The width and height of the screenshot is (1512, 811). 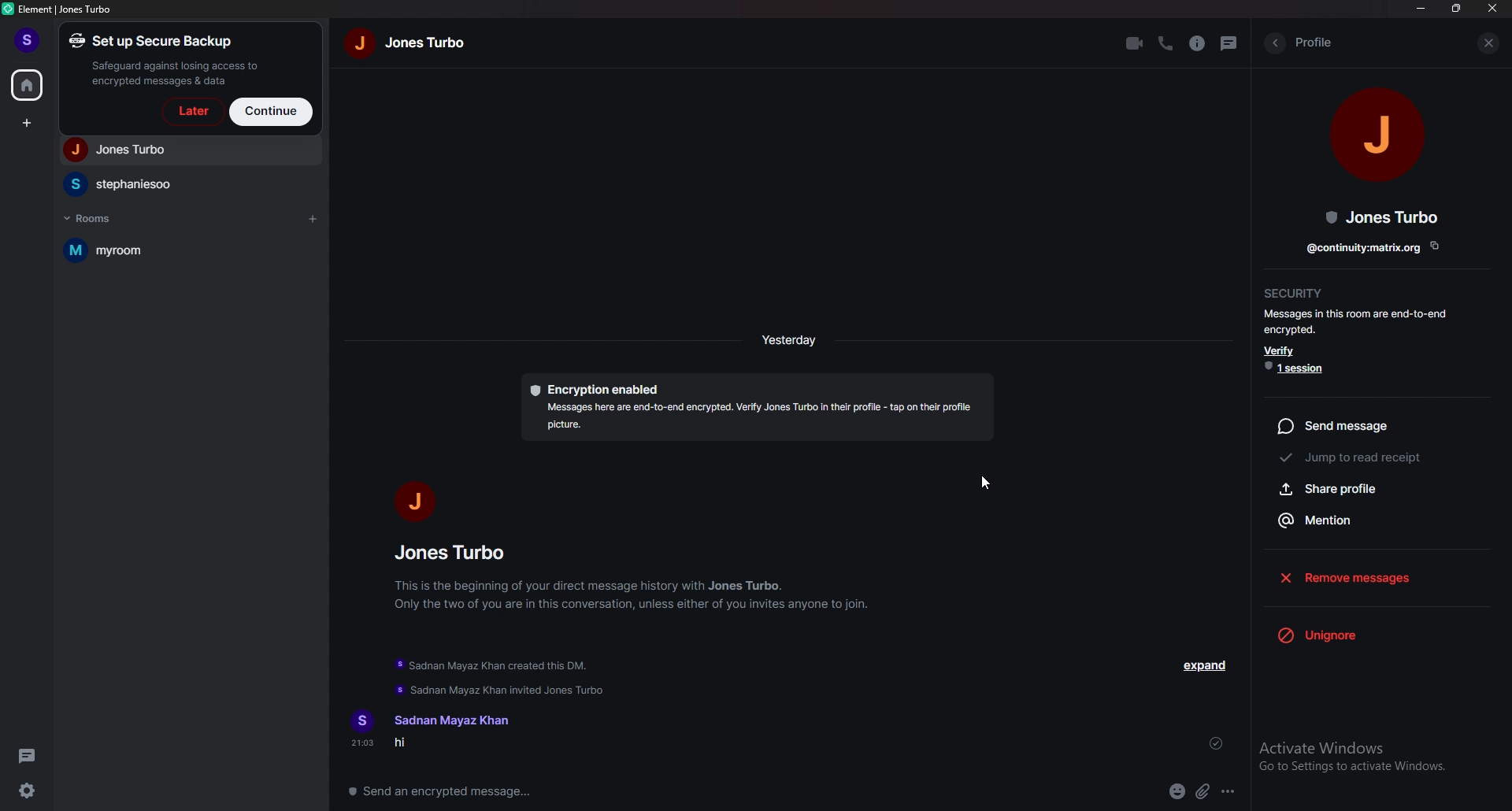 What do you see at coordinates (1230, 43) in the screenshot?
I see `threads` at bounding box center [1230, 43].